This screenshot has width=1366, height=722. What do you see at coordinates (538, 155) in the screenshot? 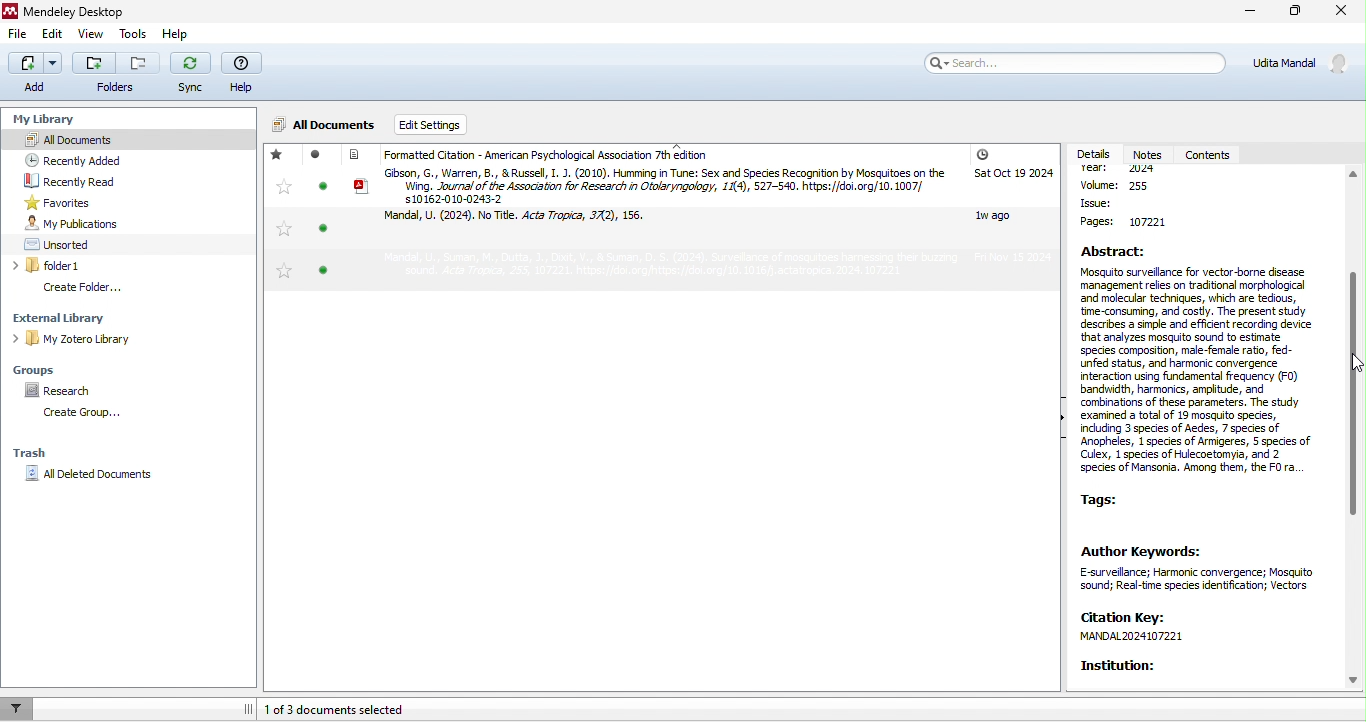
I see `formatted citation` at bounding box center [538, 155].